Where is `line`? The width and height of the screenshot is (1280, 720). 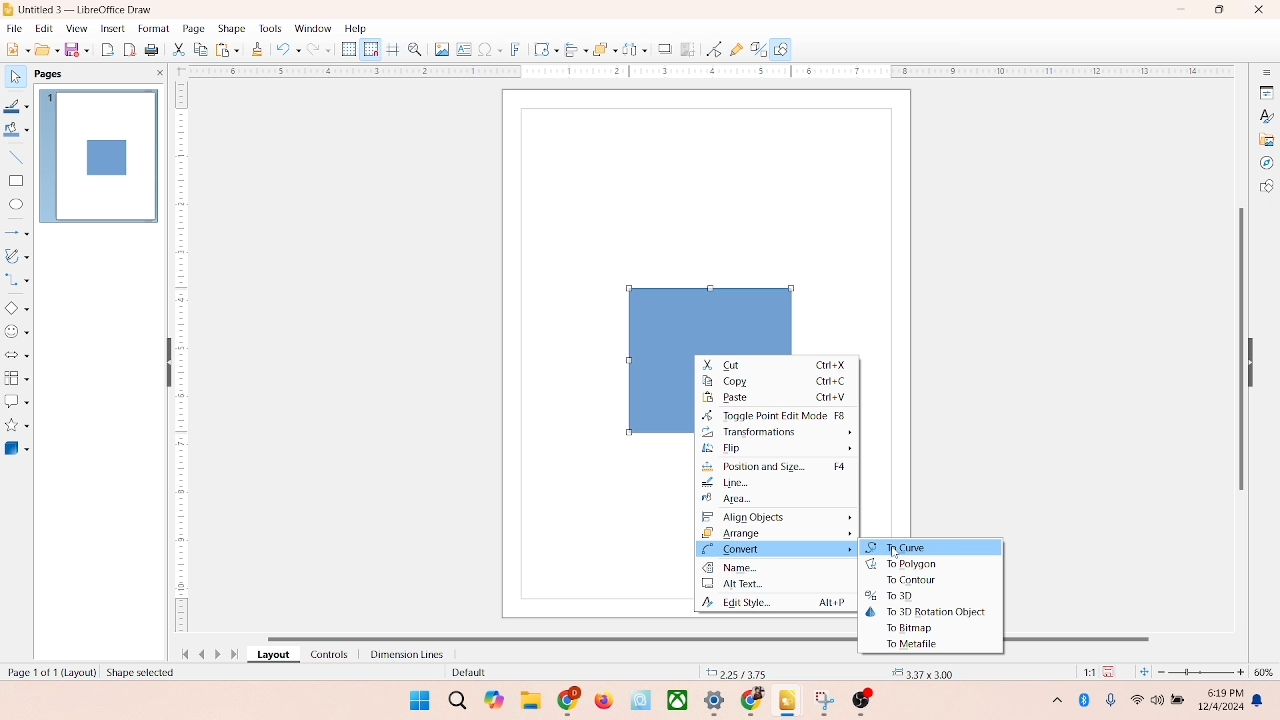 line is located at coordinates (728, 483).